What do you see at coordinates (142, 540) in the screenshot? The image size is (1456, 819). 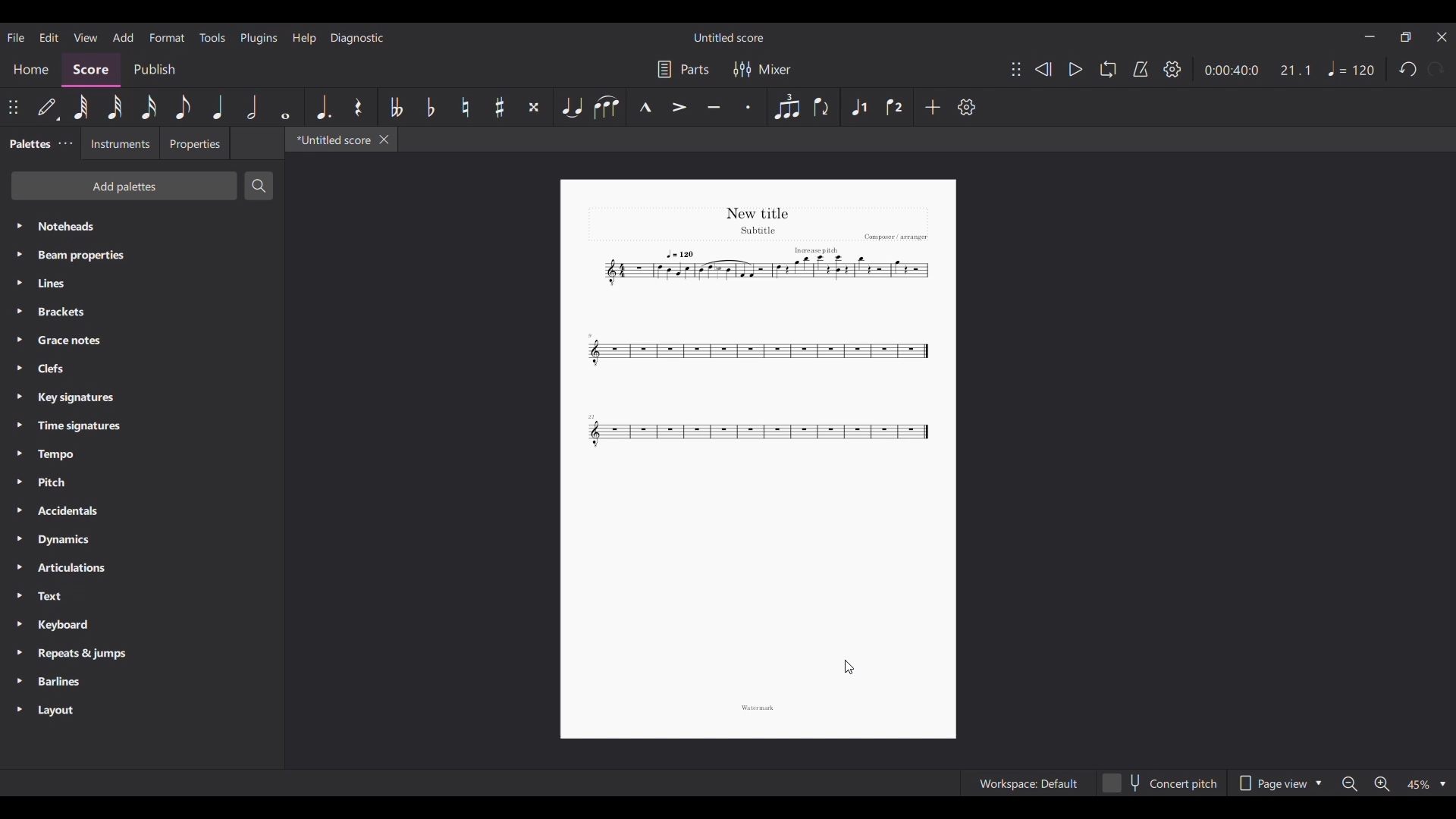 I see `Dynamics` at bounding box center [142, 540].